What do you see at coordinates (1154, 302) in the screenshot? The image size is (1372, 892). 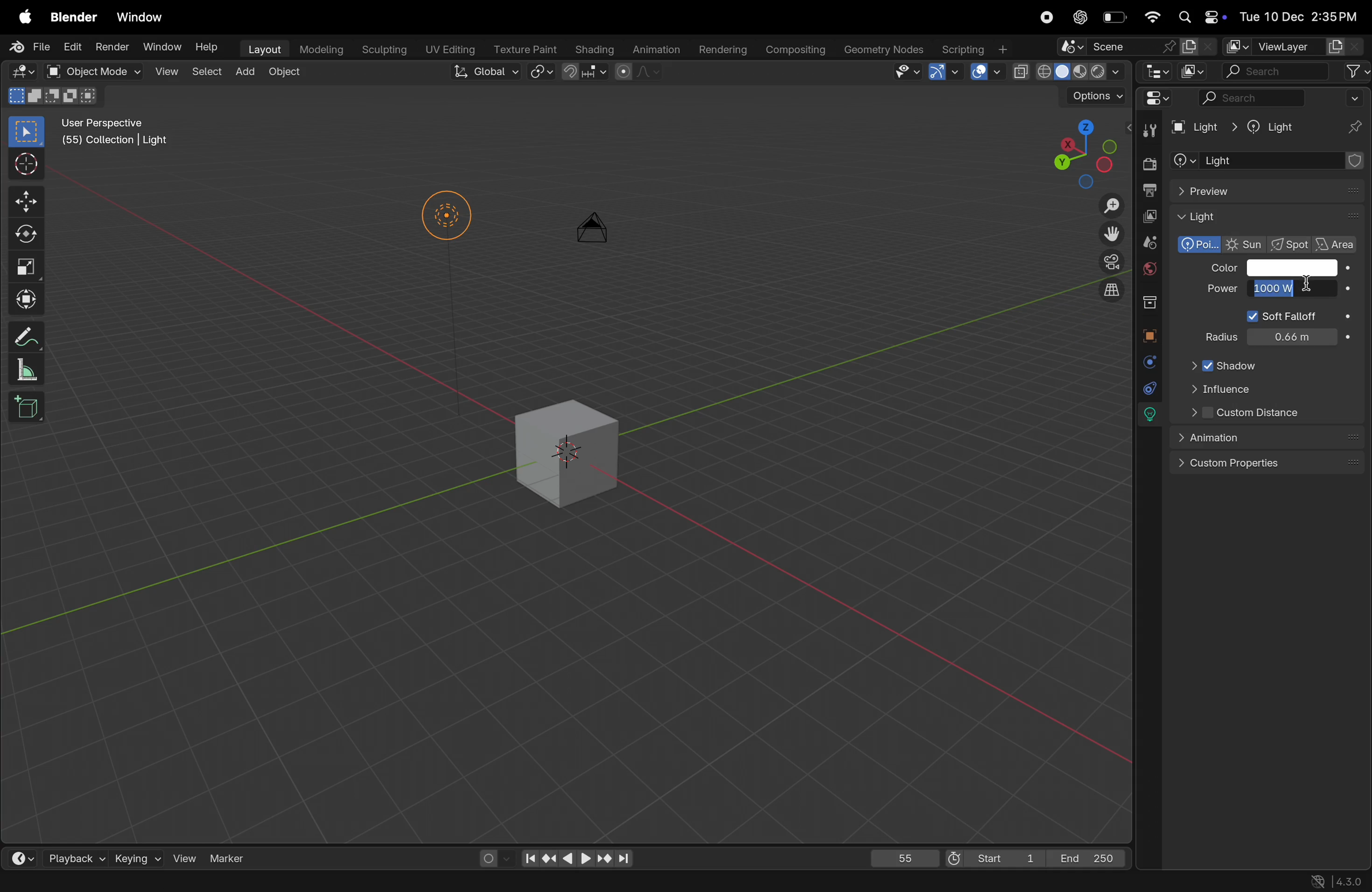 I see `collection` at bounding box center [1154, 302].